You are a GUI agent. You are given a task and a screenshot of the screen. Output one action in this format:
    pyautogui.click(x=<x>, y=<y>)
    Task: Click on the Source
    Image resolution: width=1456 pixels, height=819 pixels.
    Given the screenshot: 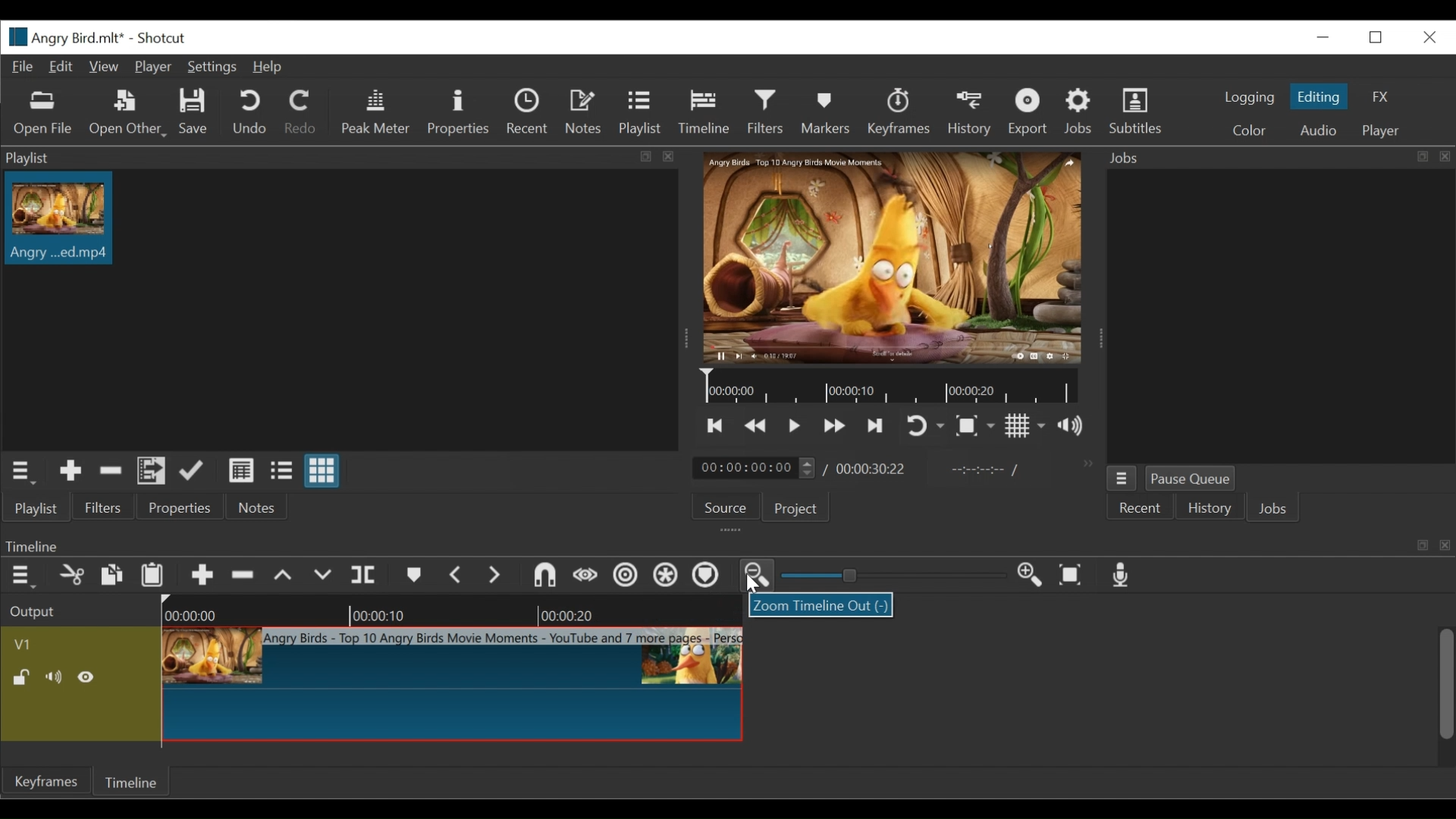 What is the action you would take?
    pyautogui.click(x=726, y=507)
    